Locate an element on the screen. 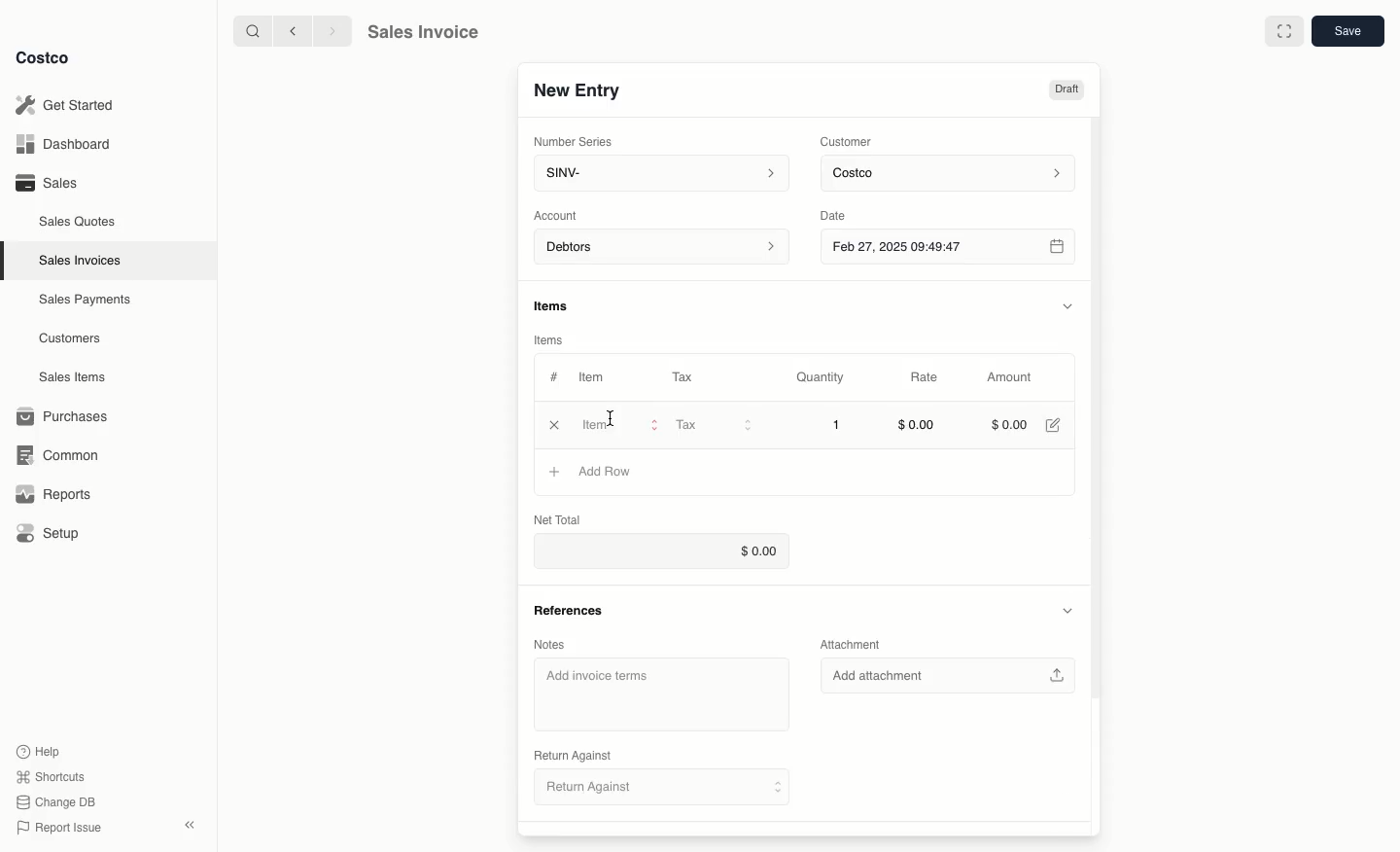 This screenshot has width=1400, height=852. ‘Add invoice terms is located at coordinates (661, 694).